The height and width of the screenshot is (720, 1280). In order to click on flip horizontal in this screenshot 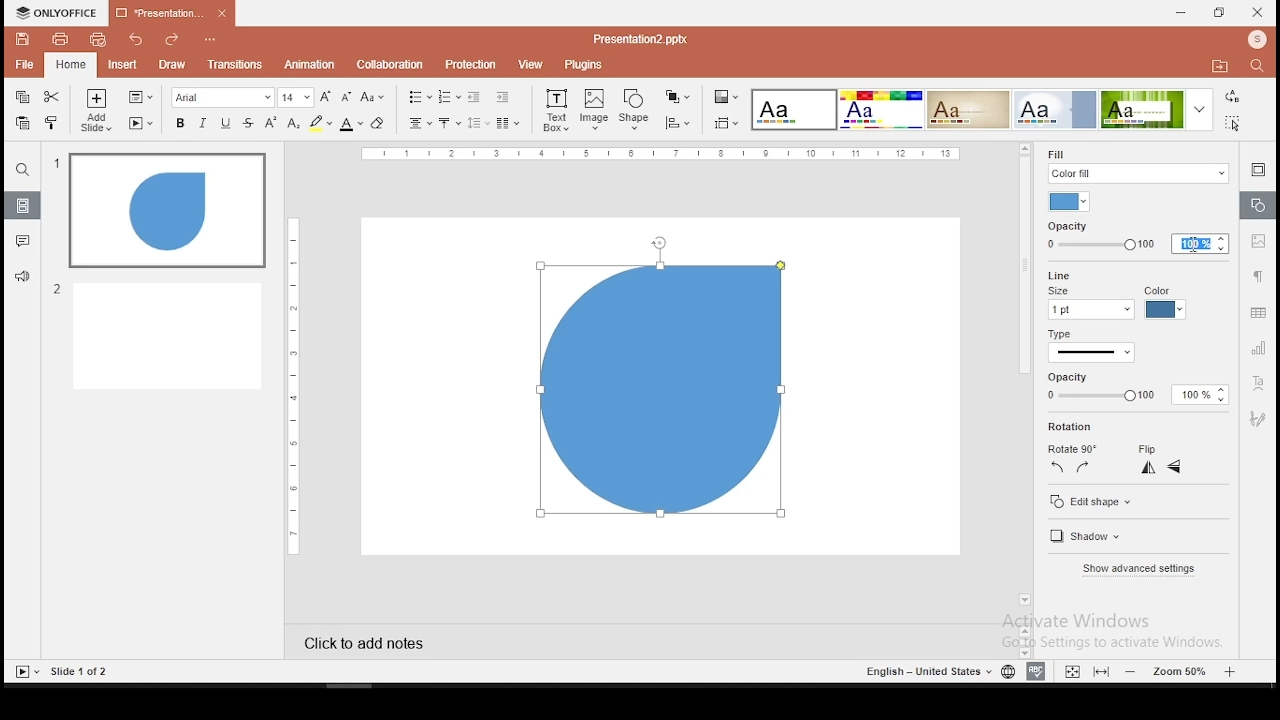, I will do `click(1174, 467)`.